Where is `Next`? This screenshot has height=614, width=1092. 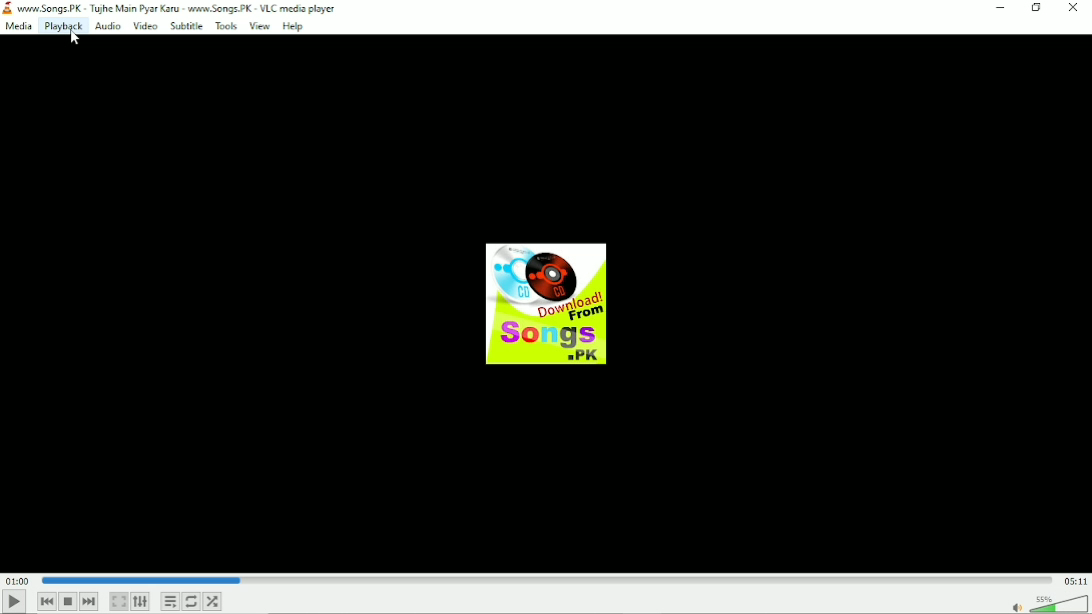 Next is located at coordinates (89, 602).